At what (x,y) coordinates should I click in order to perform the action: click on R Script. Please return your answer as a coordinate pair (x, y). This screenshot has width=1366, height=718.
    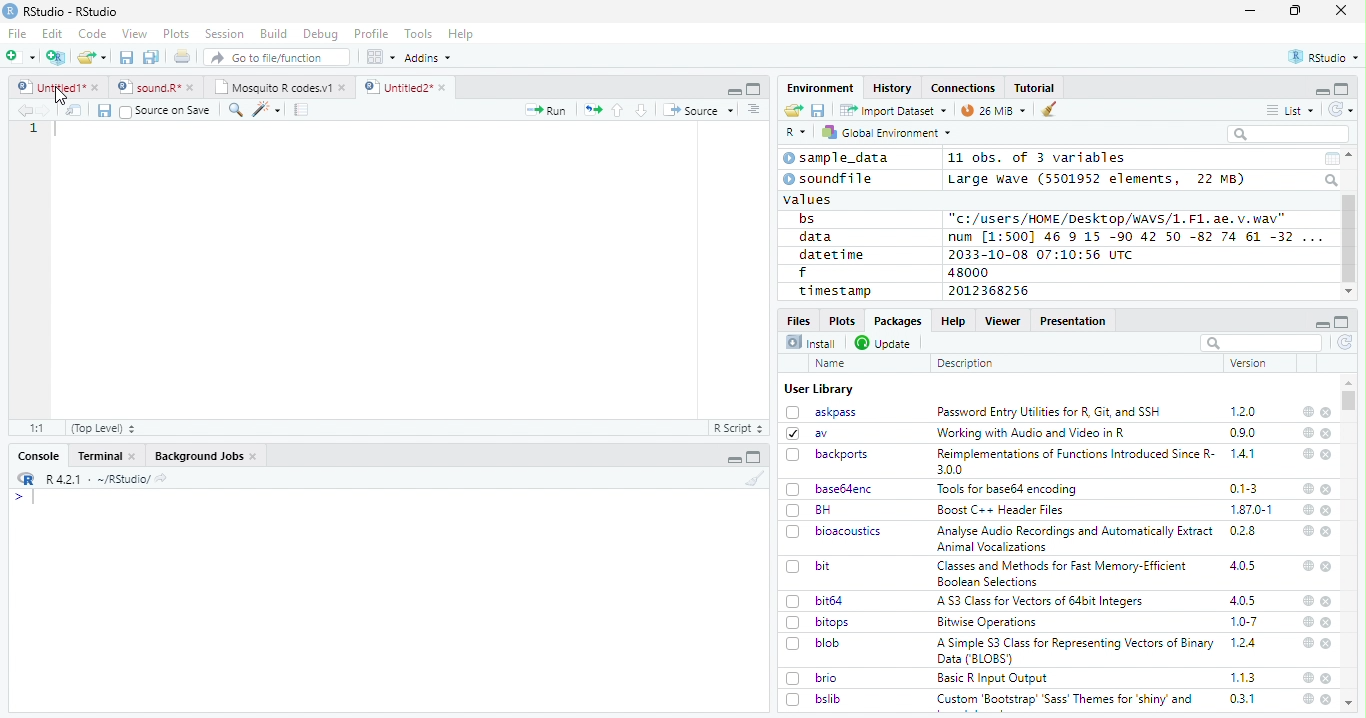
    Looking at the image, I should click on (737, 429).